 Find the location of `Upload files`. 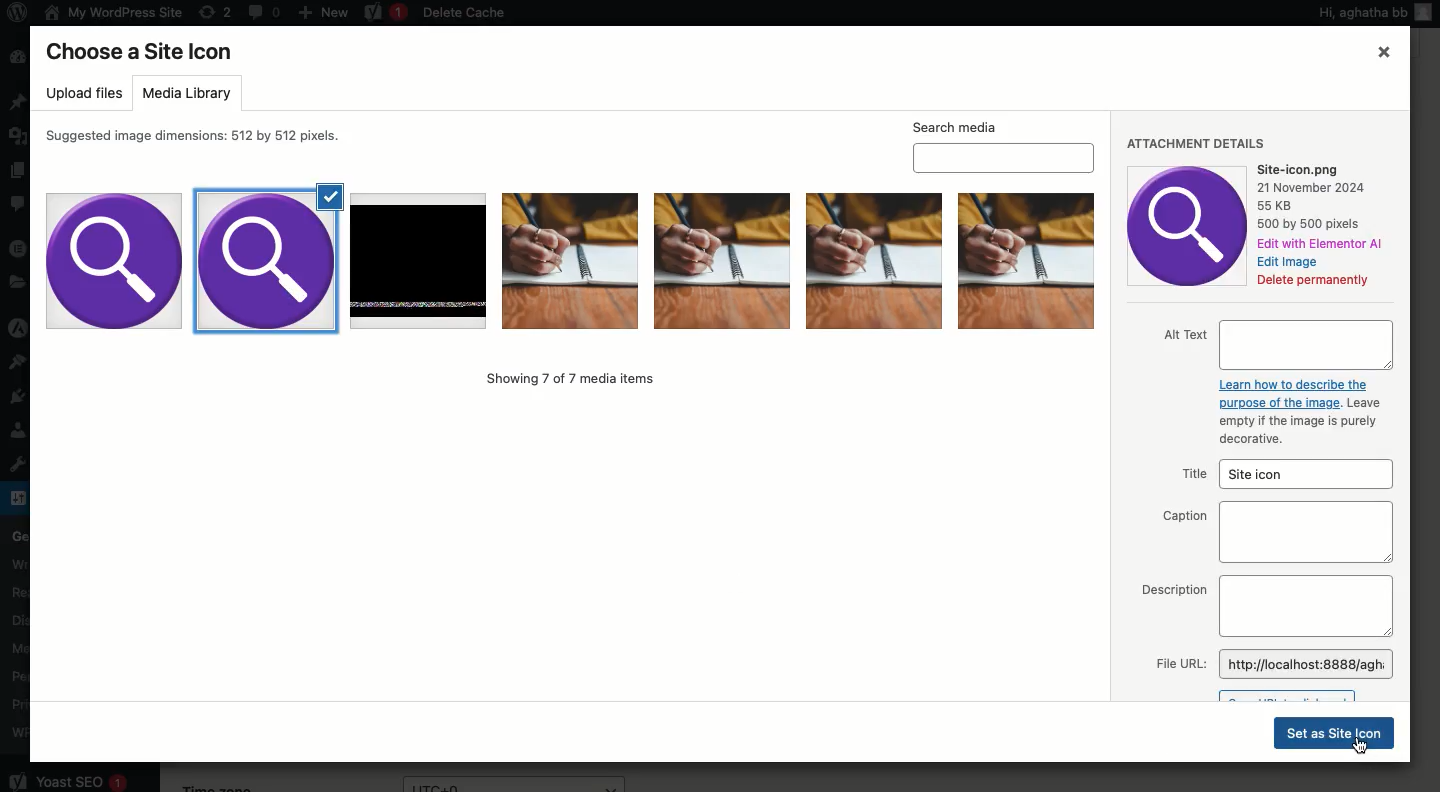

Upload files is located at coordinates (86, 94).